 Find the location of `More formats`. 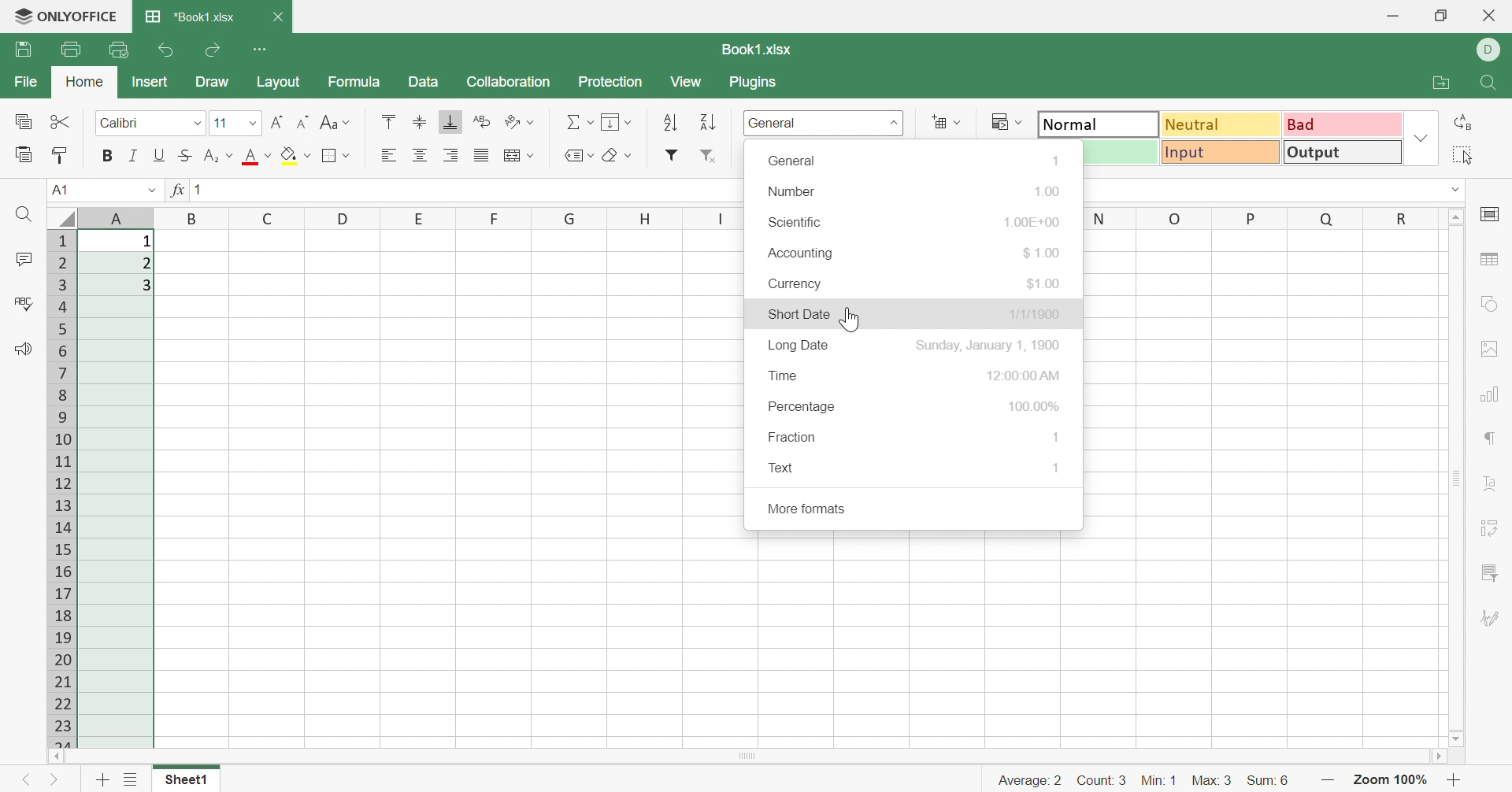

More formats is located at coordinates (808, 509).